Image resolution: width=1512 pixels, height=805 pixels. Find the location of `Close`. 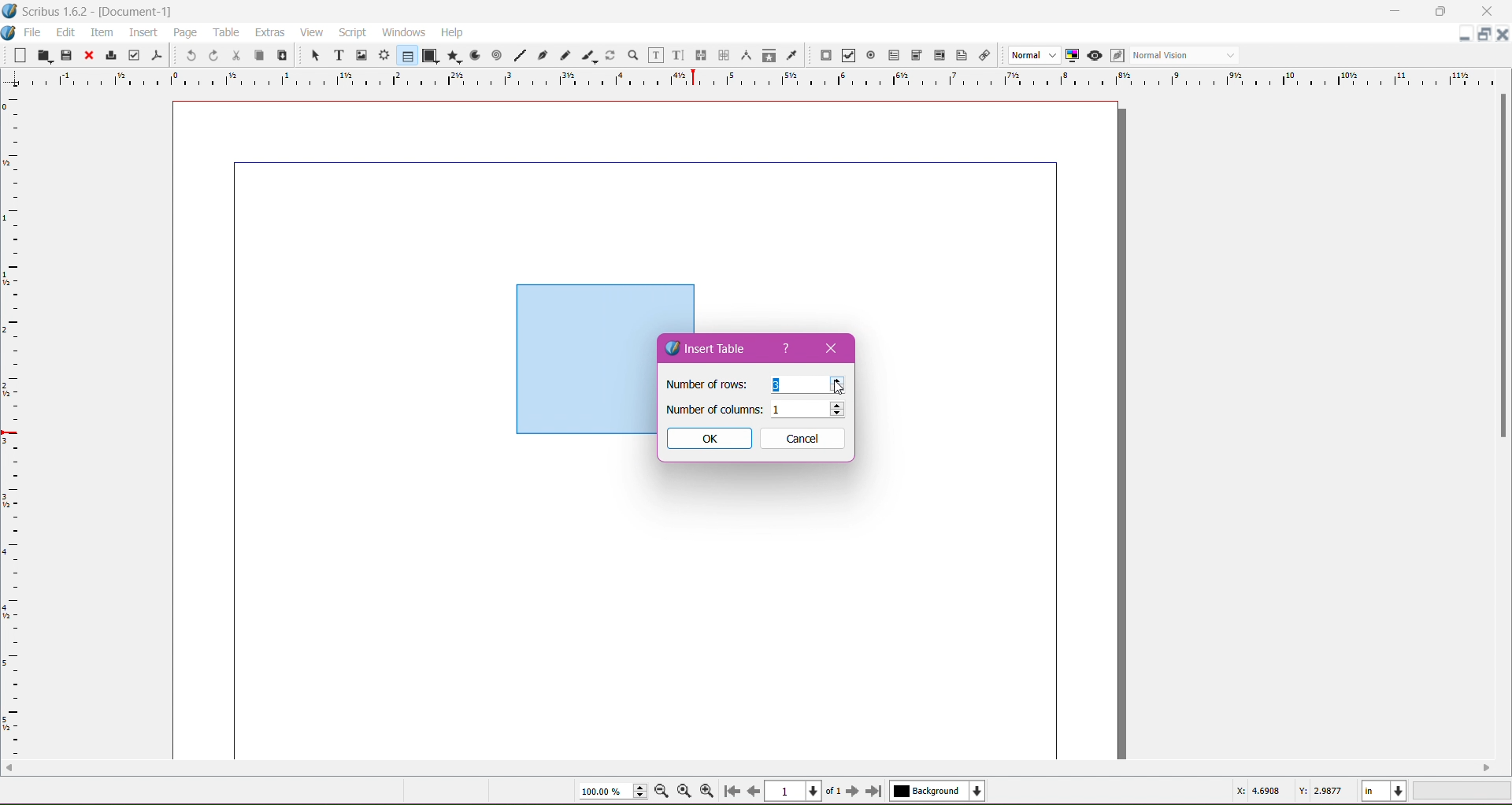

Close is located at coordinates (832, 347).